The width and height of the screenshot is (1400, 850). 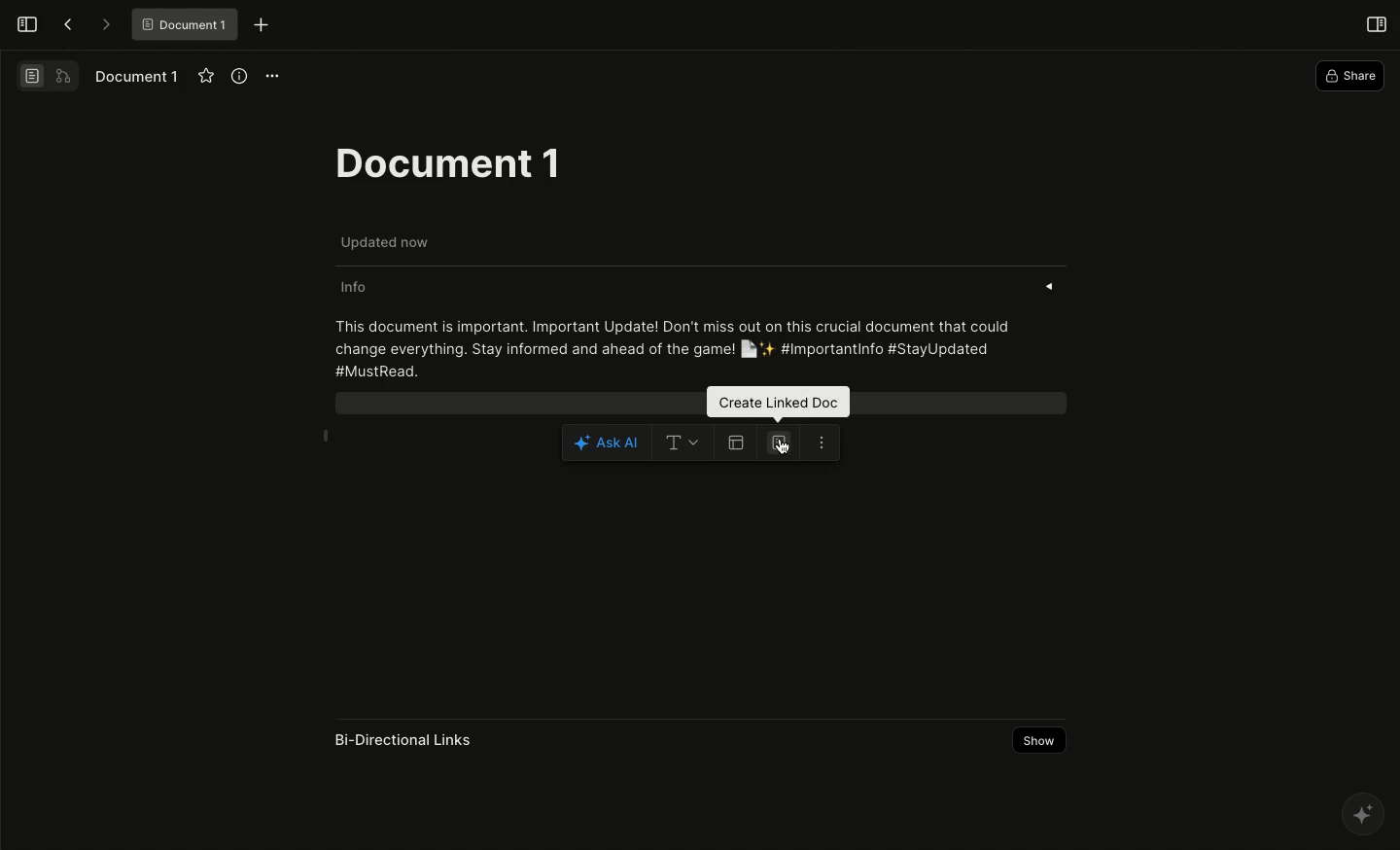 I want to click on Selected block, so click(x=511, y=402).